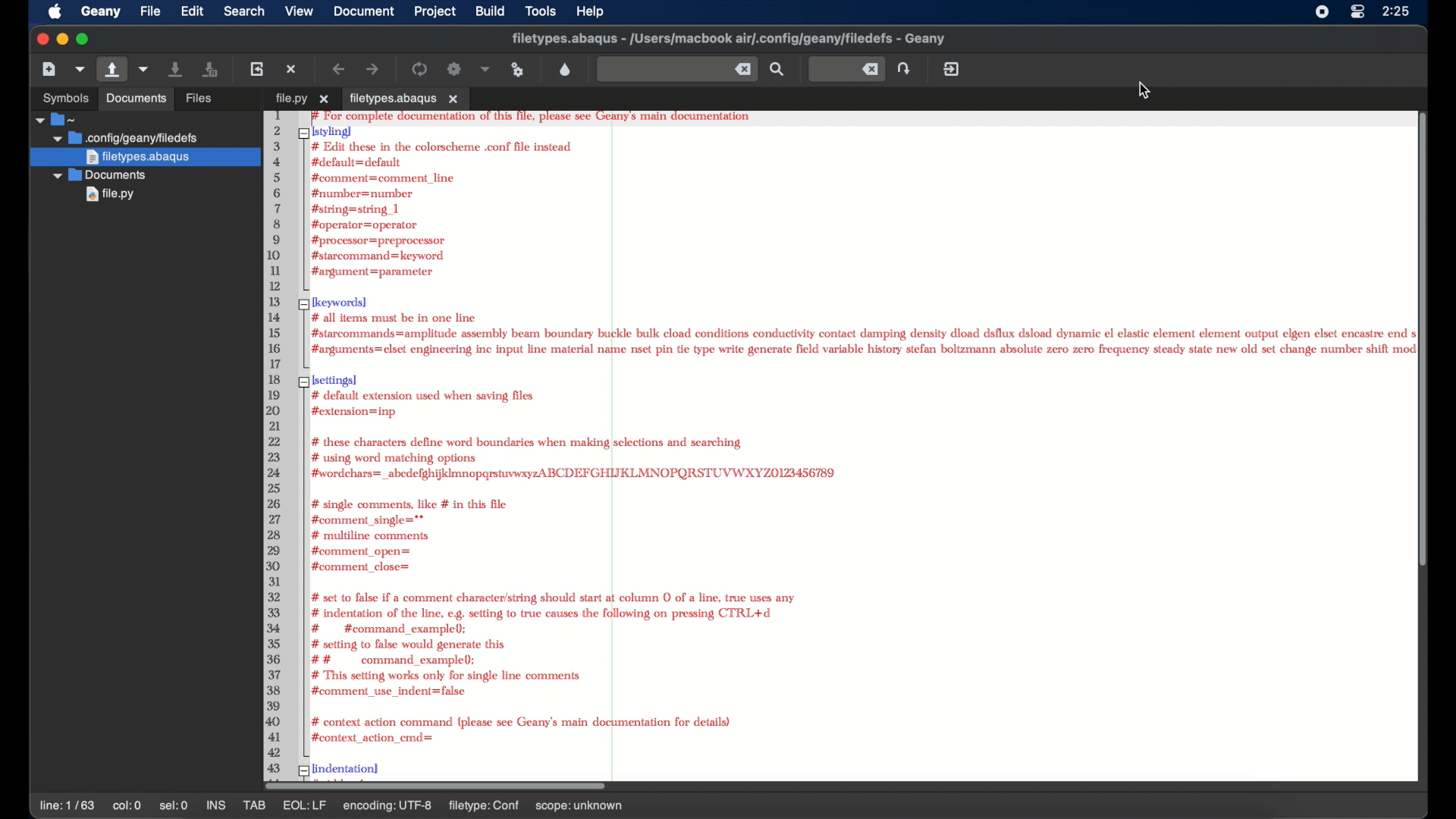 The width and height of the screenshot is (1456, 819). I want to click on open an existing file, so click(221, 100).